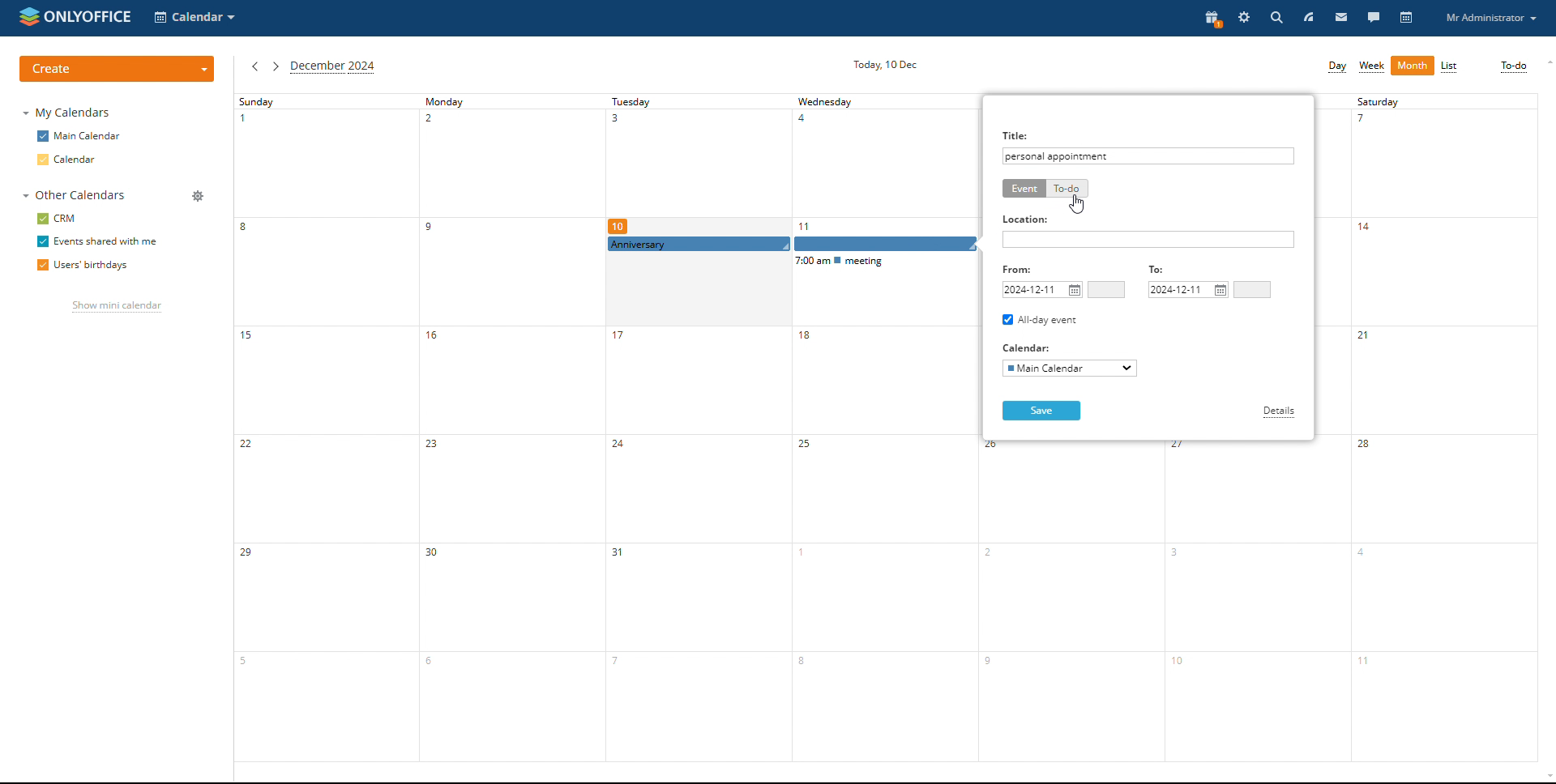 The width and height of the screenshot is (1556, 784). I want to click on to-do, so click(1067, 189).